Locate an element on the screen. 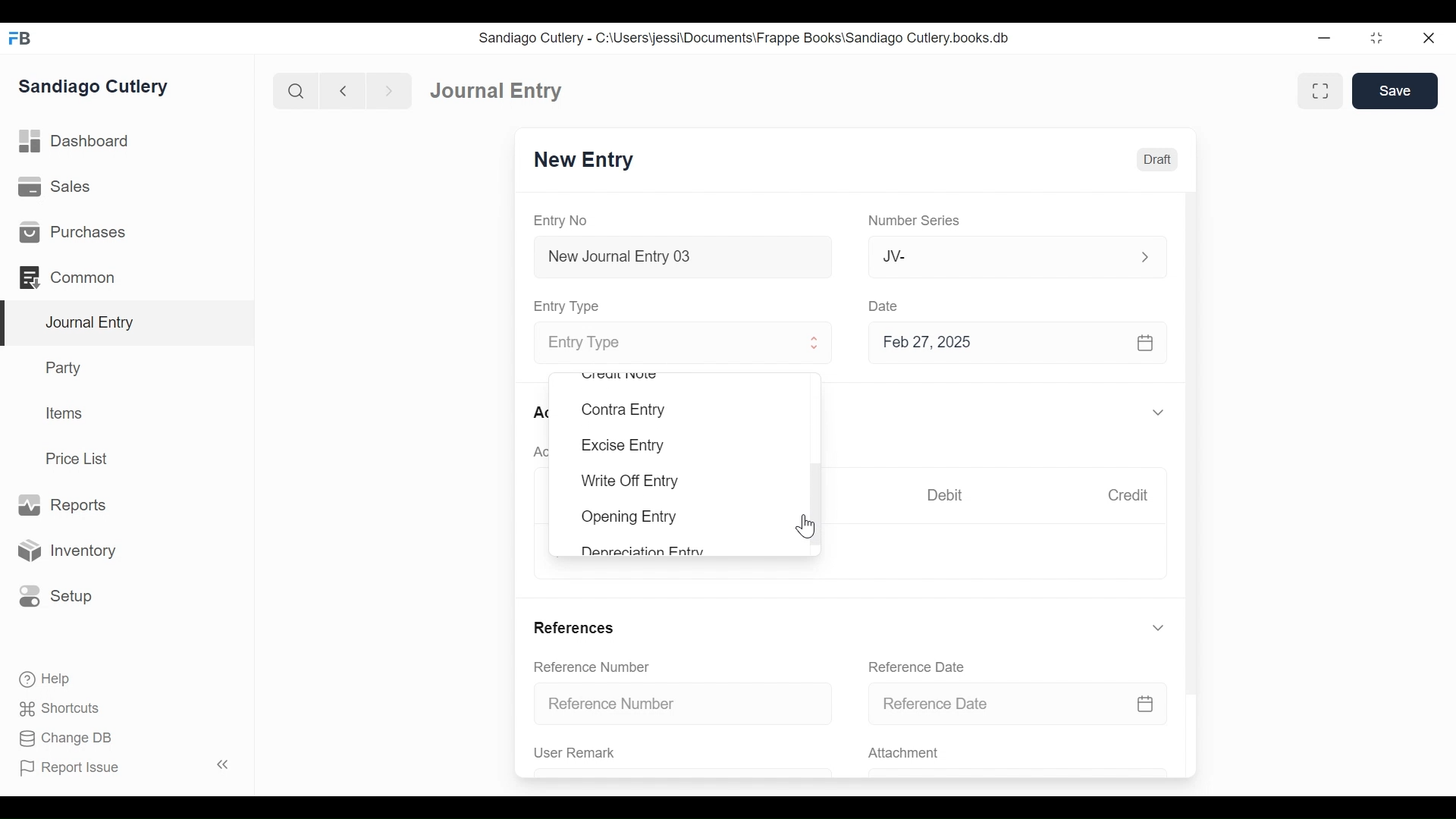 The width and height of the screenshot is (1456, 819). Shortcuts is located at coordinates (61, 711).